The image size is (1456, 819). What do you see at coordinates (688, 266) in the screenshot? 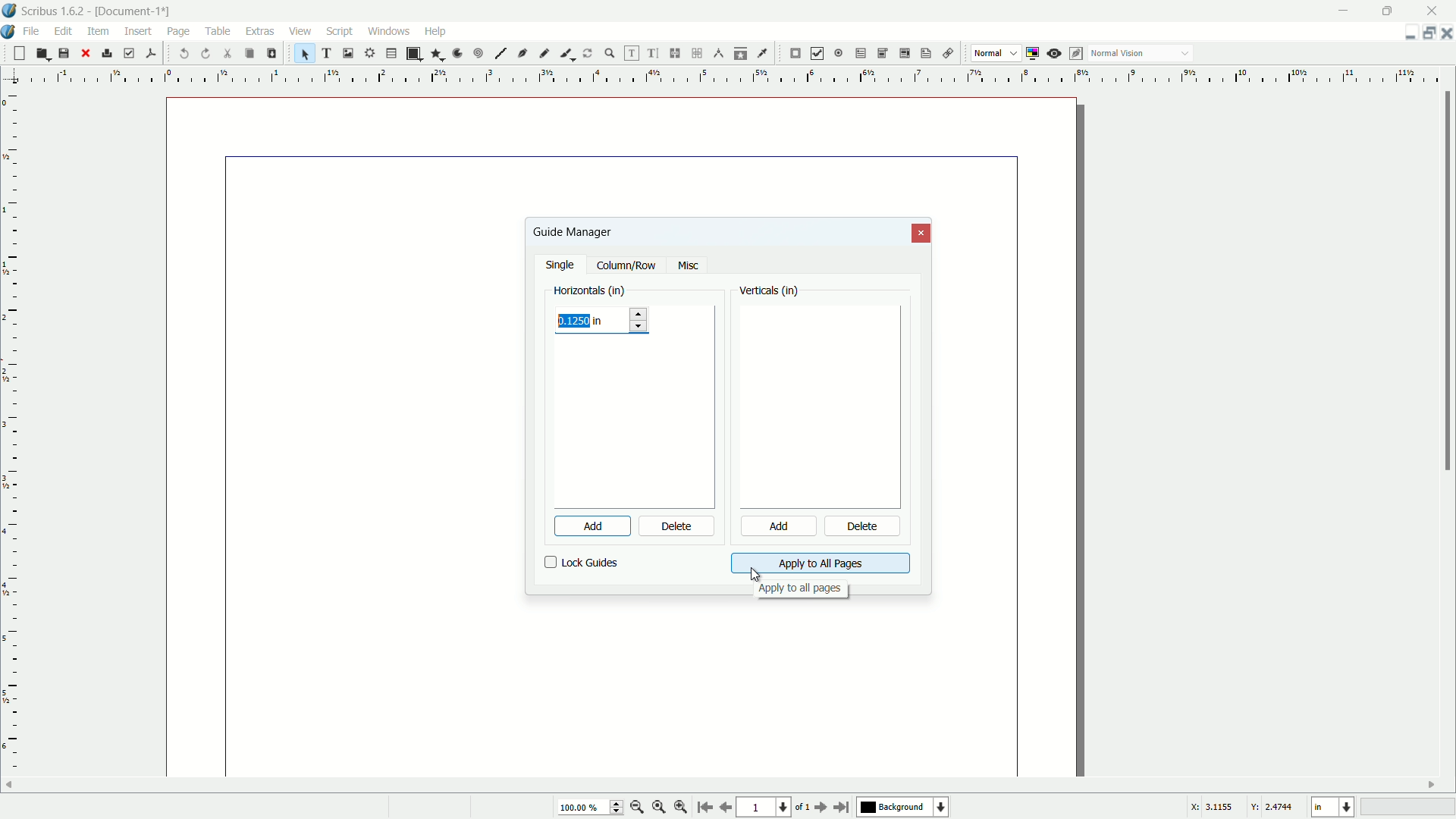
I see `misc` at bounding box center [688, 266].